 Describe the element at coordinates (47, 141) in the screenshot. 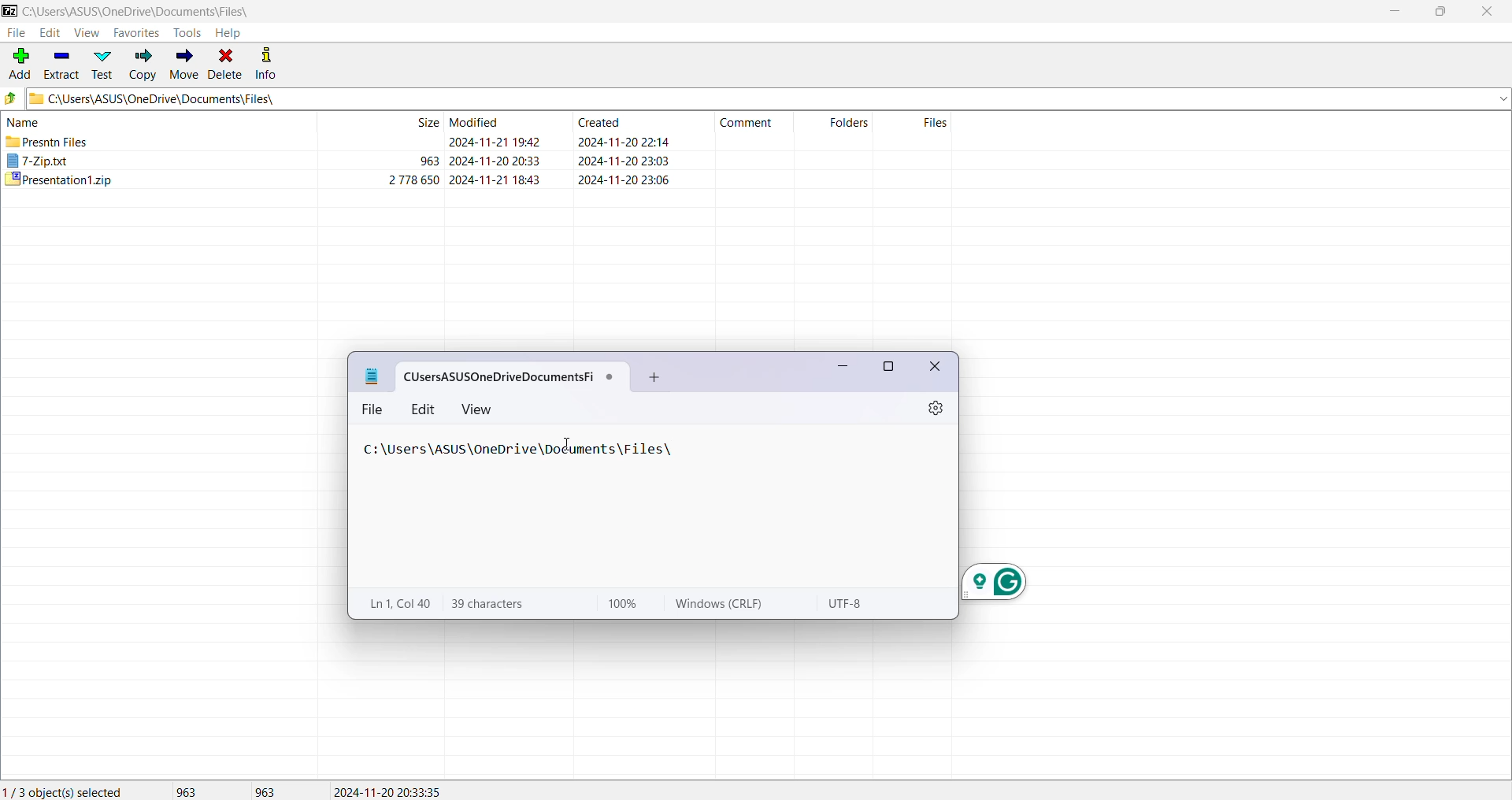

I see `presntn files` at that location.